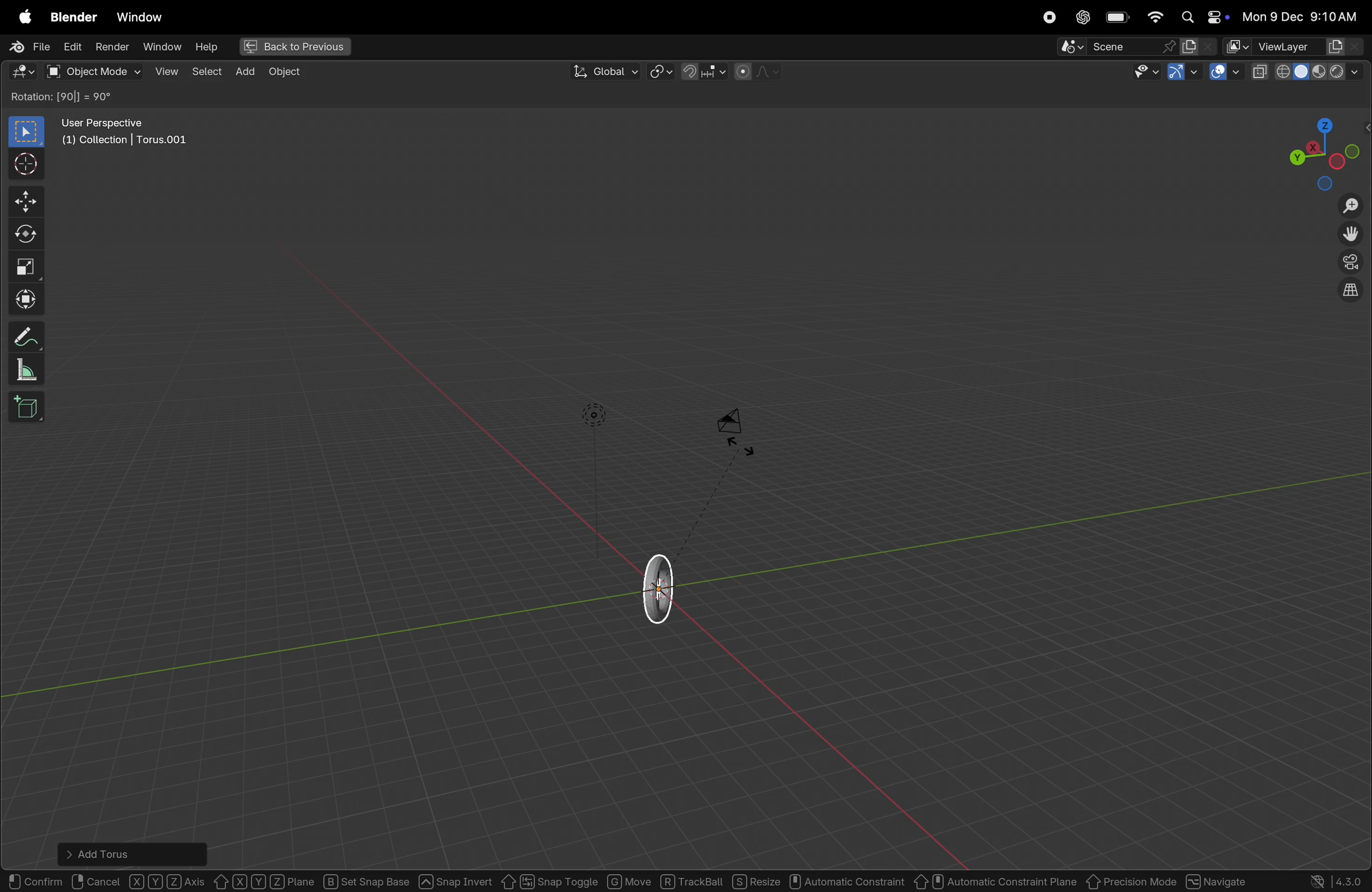 The width and height of the screenshot is (1372, 892). I want to click on view shading, so click(1323, 70).